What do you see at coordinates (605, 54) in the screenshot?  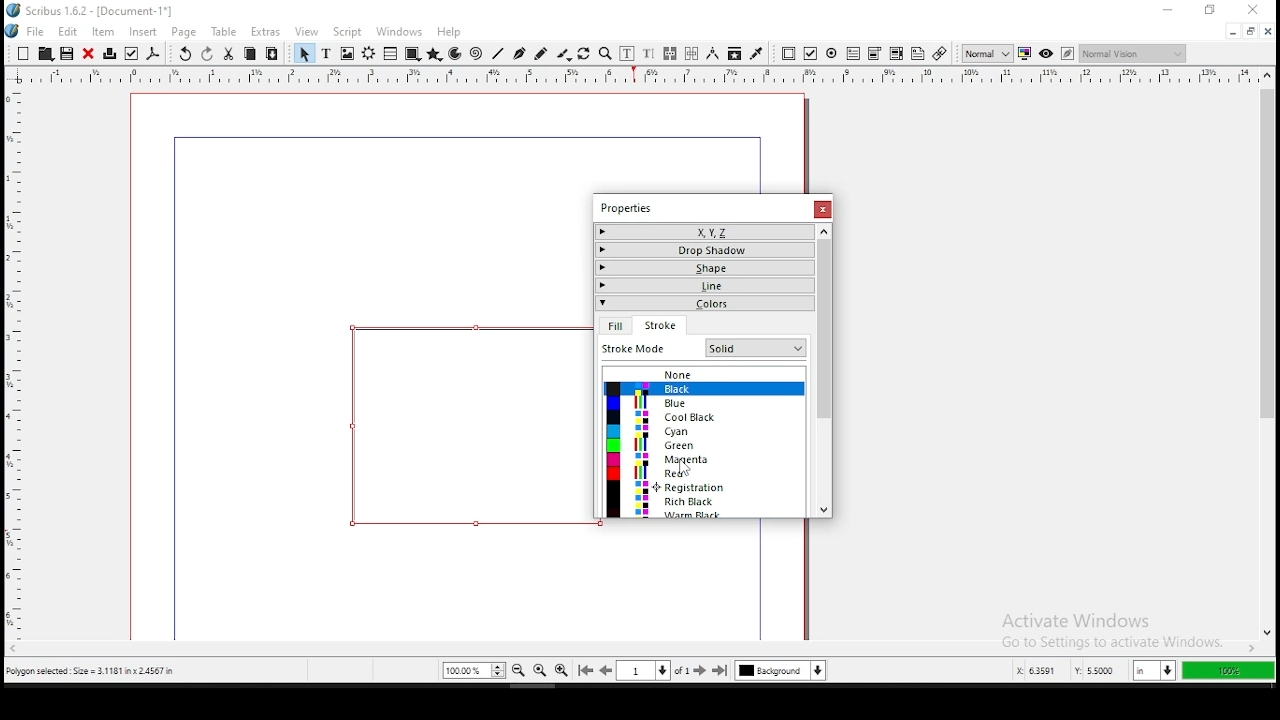 I see `zoom in or out` at bounding box center [605, 54].